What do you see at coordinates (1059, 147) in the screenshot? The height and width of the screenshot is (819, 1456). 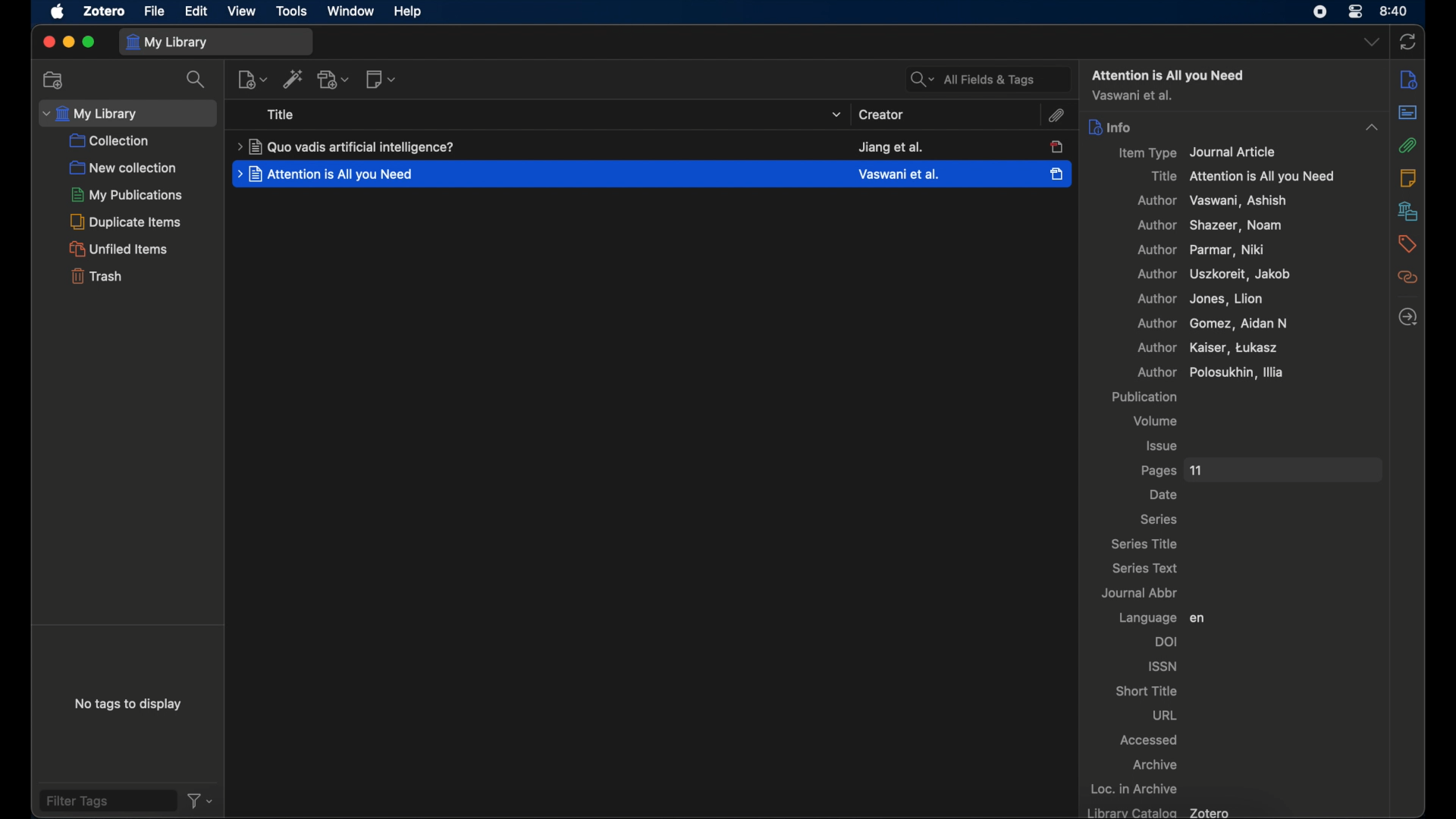 I see `item unselected` at bounding box center [1059, 147].